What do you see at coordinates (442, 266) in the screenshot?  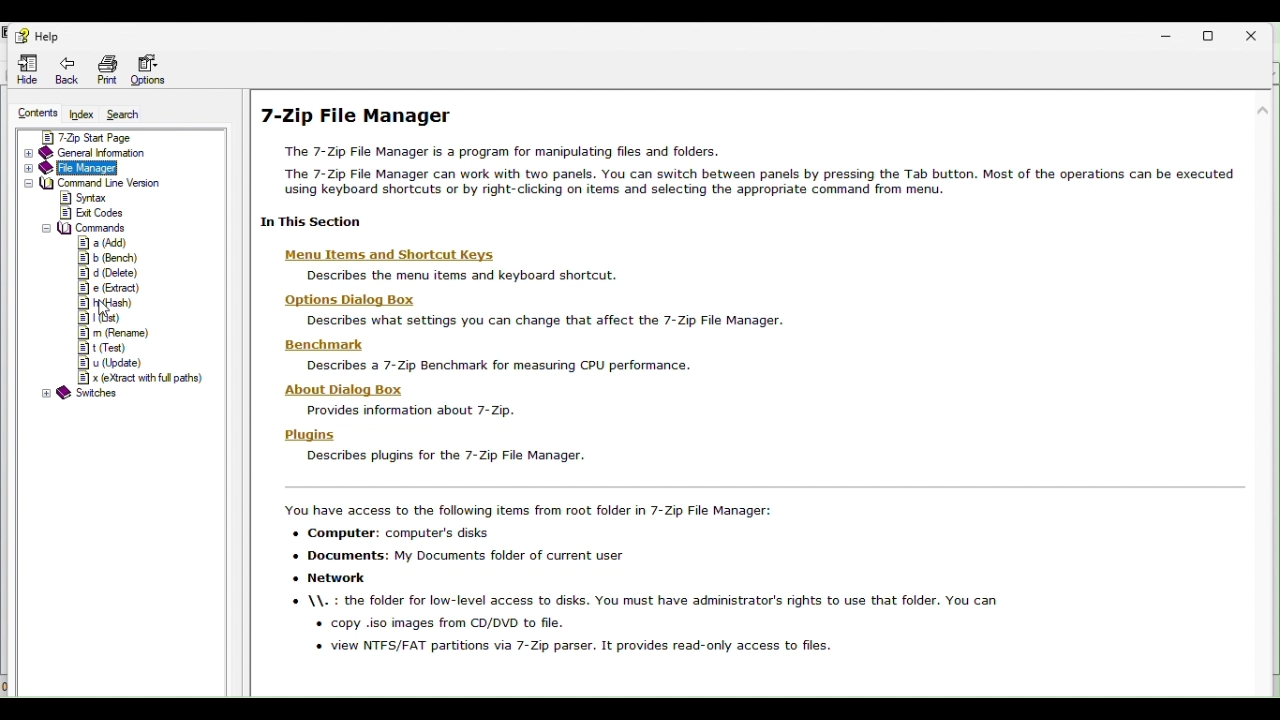 I see `menu items and shortcut keys` at bounding box center [442, 266].